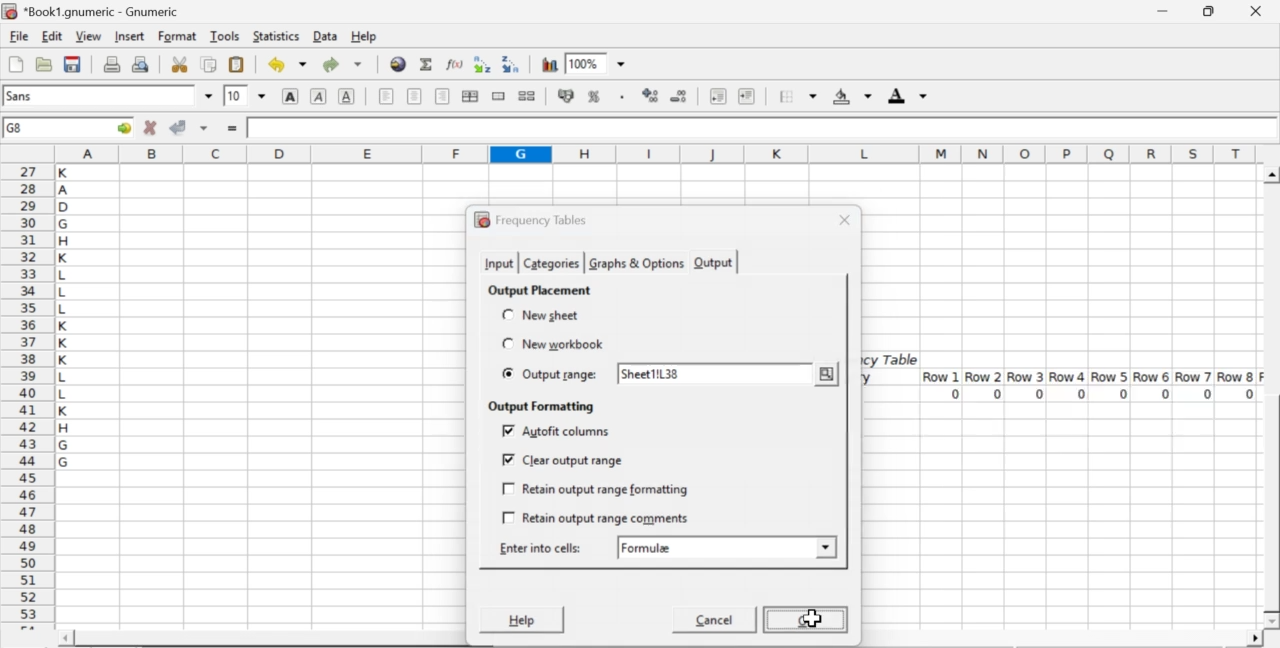 This screenshot has width=1280, height=648. I want to click on format selection as accounting, so click(566, 95).